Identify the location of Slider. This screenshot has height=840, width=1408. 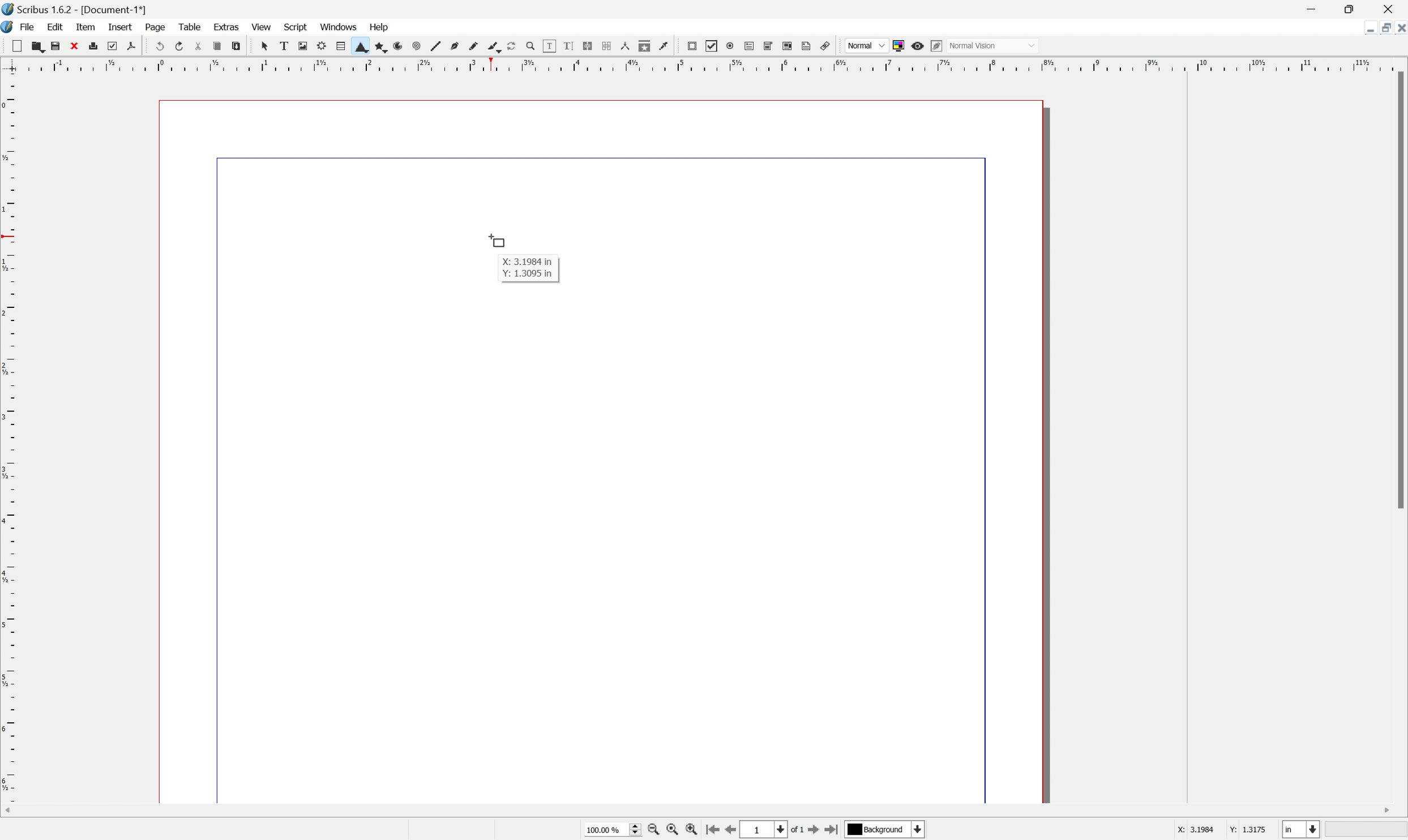
(631, 830).